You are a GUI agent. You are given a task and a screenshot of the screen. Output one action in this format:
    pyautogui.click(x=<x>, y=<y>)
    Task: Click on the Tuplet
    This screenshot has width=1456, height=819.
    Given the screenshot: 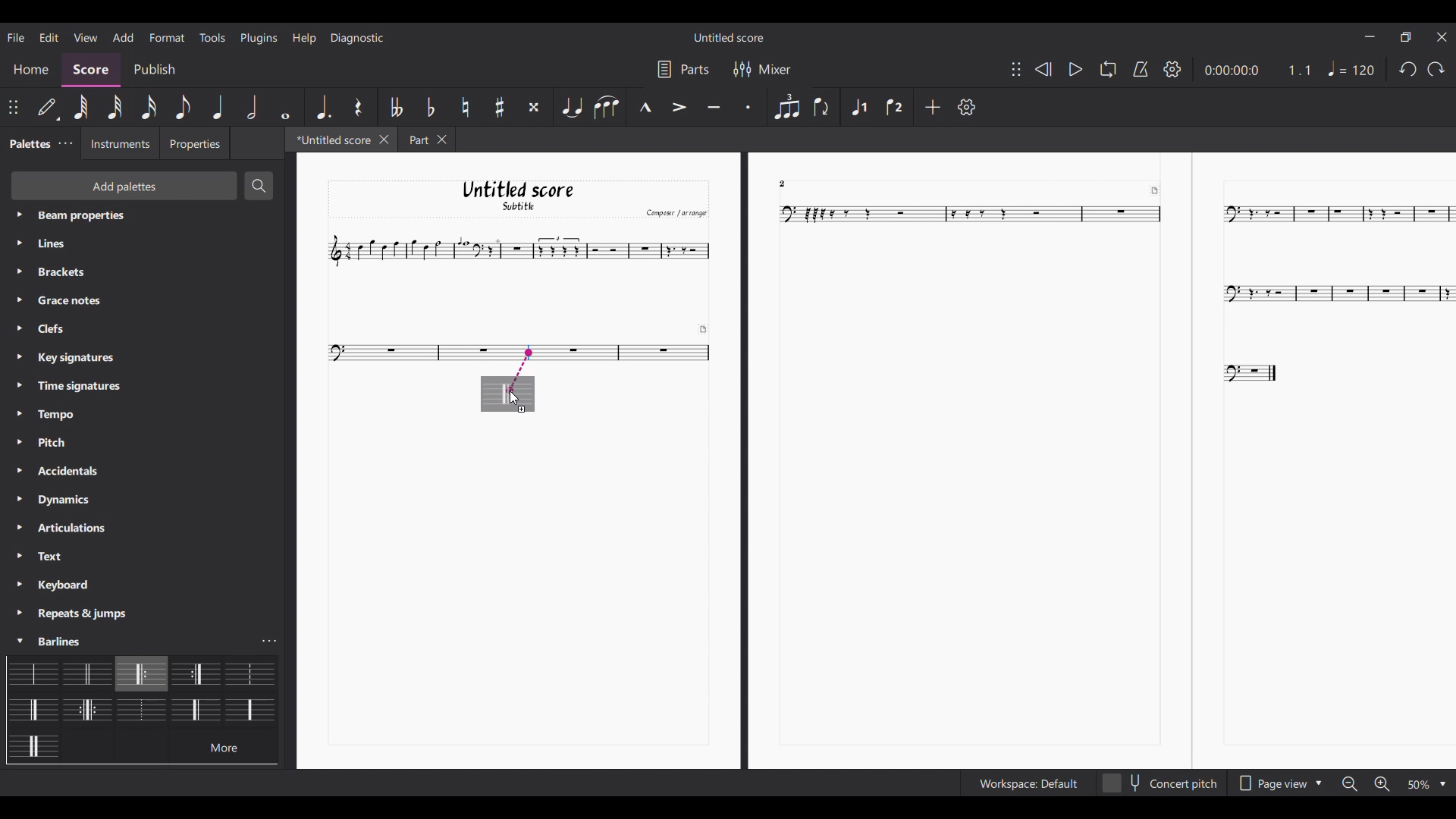 What is the action you would take?
    pyautogui.click(x=787, y=107)
    